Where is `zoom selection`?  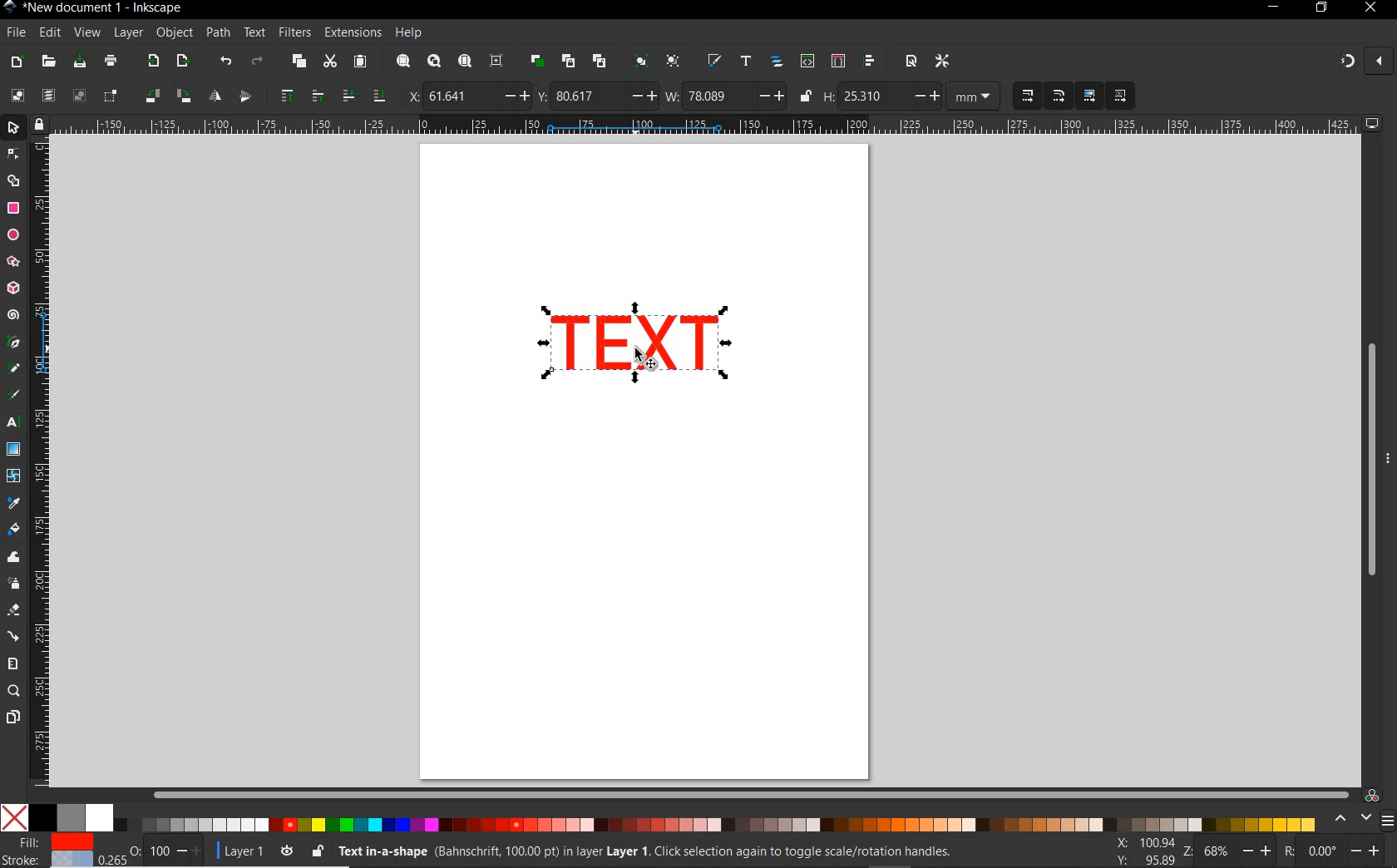 zoom selection is located at coordinates (402, 62).